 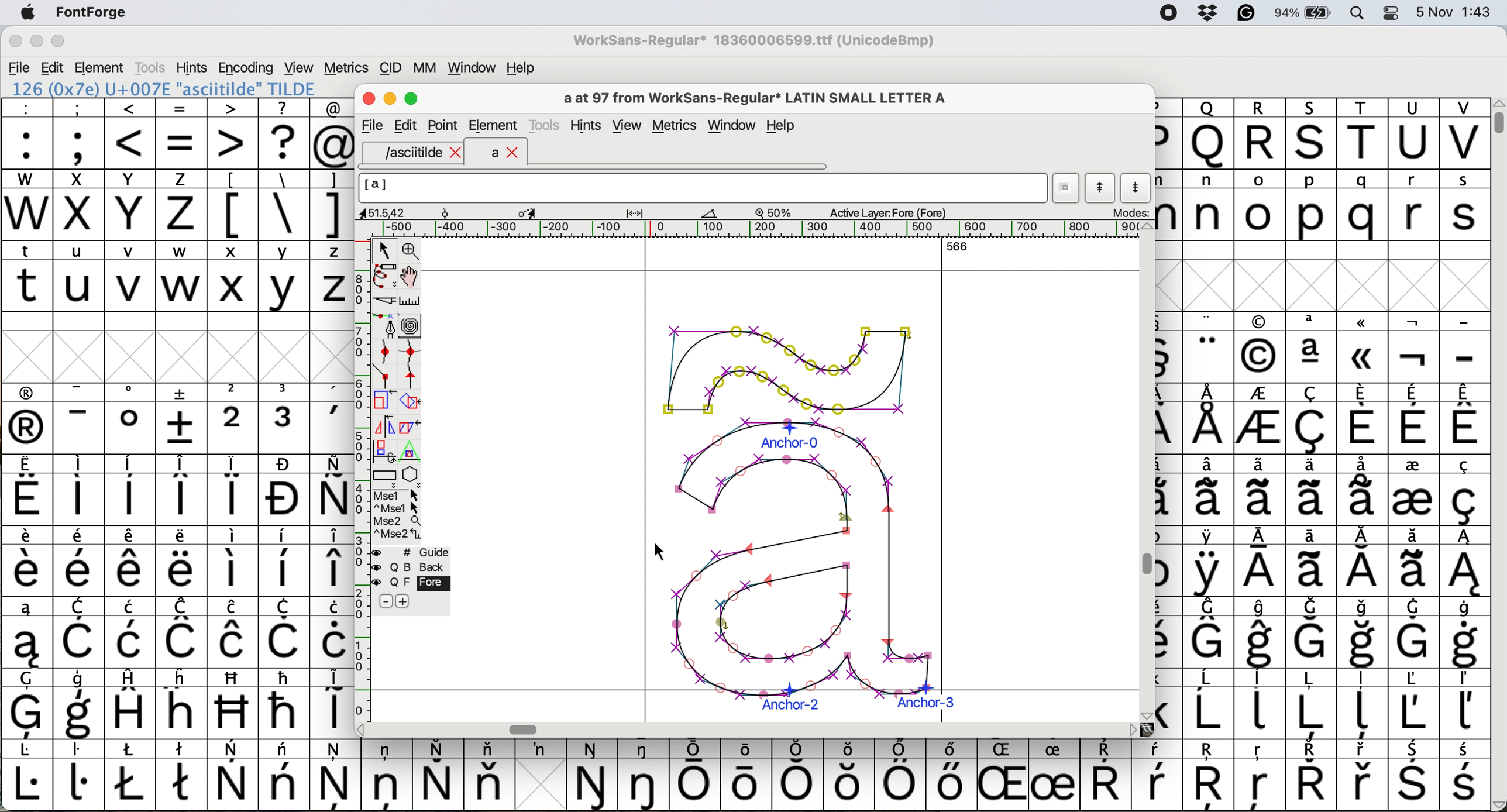 What do you see at coordinates (493, 125) in the screenshot?
I see `element` at bounding box center [493, 125].